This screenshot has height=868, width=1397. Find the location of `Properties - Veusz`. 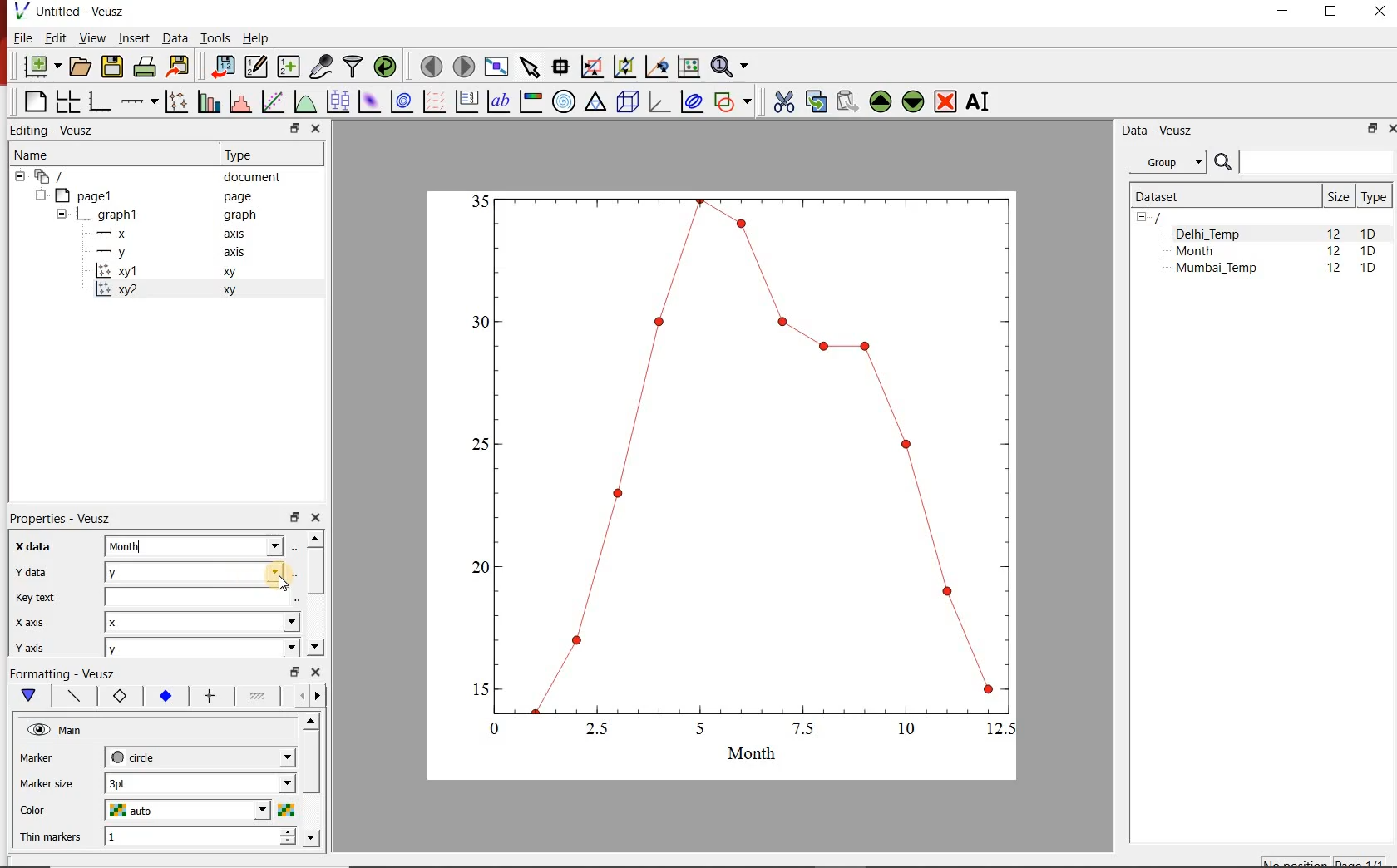

Properties - Veusz is located at coordinates (57, 519).